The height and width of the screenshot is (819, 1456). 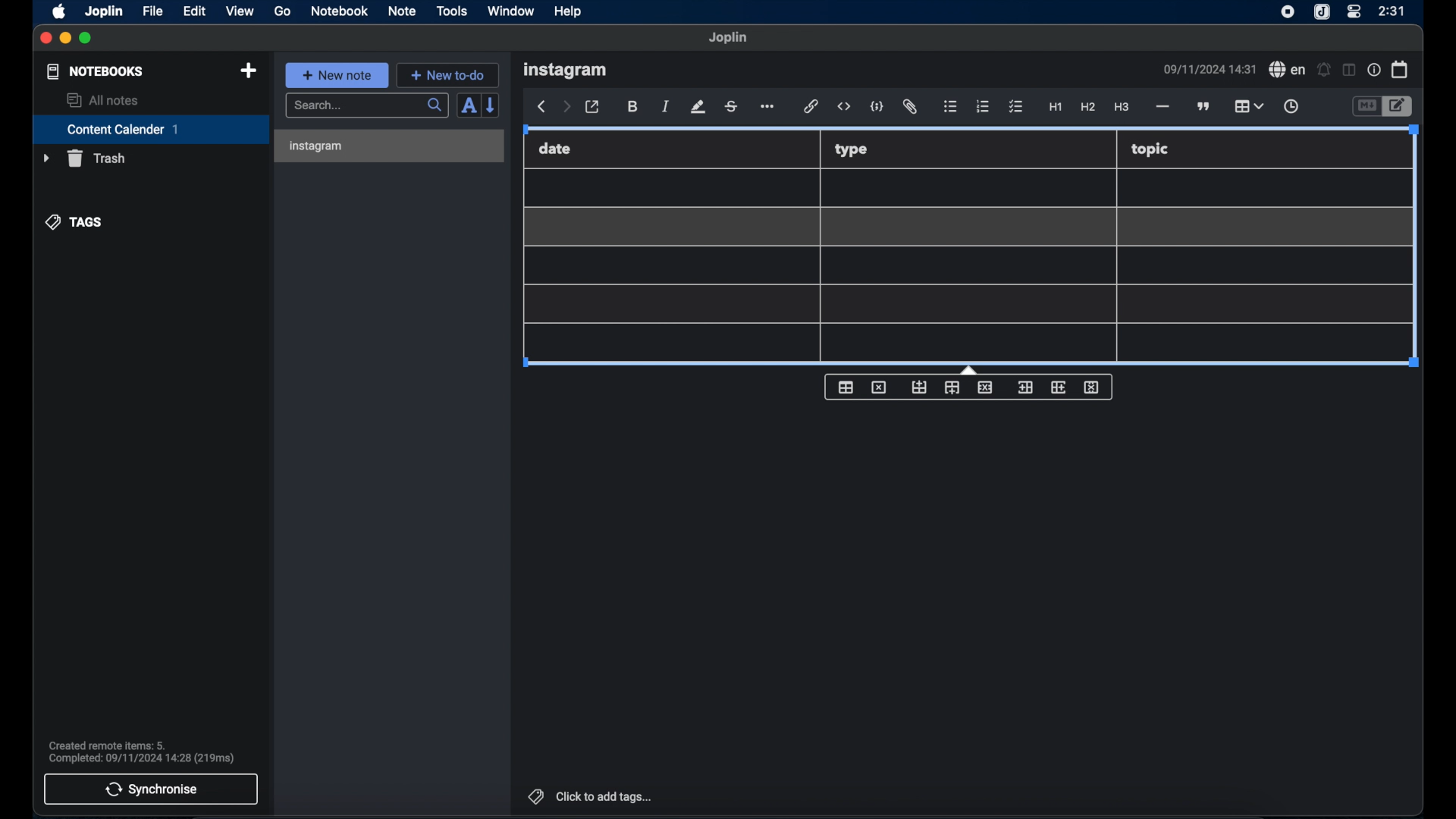 What do you see at coordinates (919, 386) in the screenshot?
I see `insert row before` at bounding box center [919, 386].